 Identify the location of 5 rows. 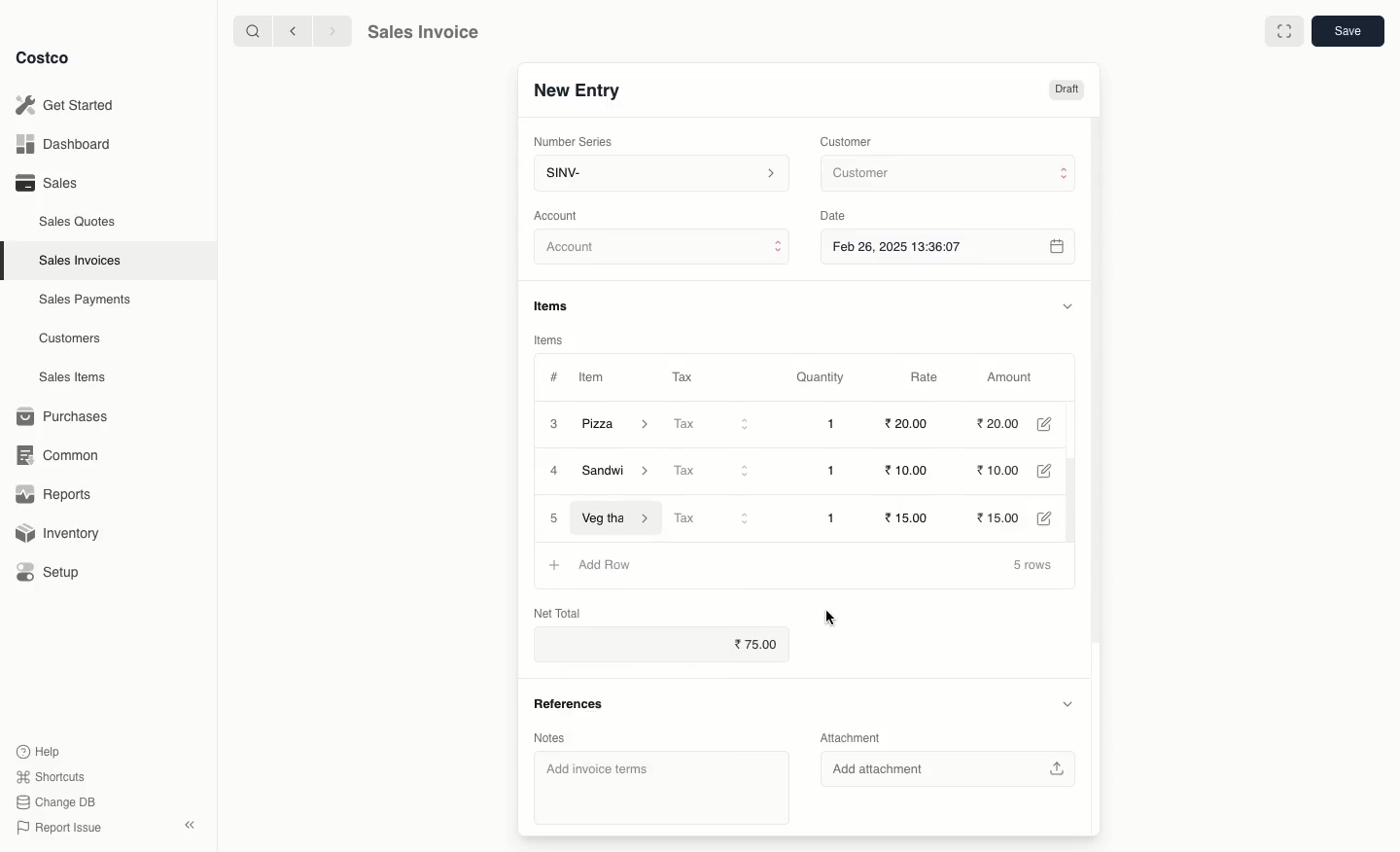
(1033, 566).